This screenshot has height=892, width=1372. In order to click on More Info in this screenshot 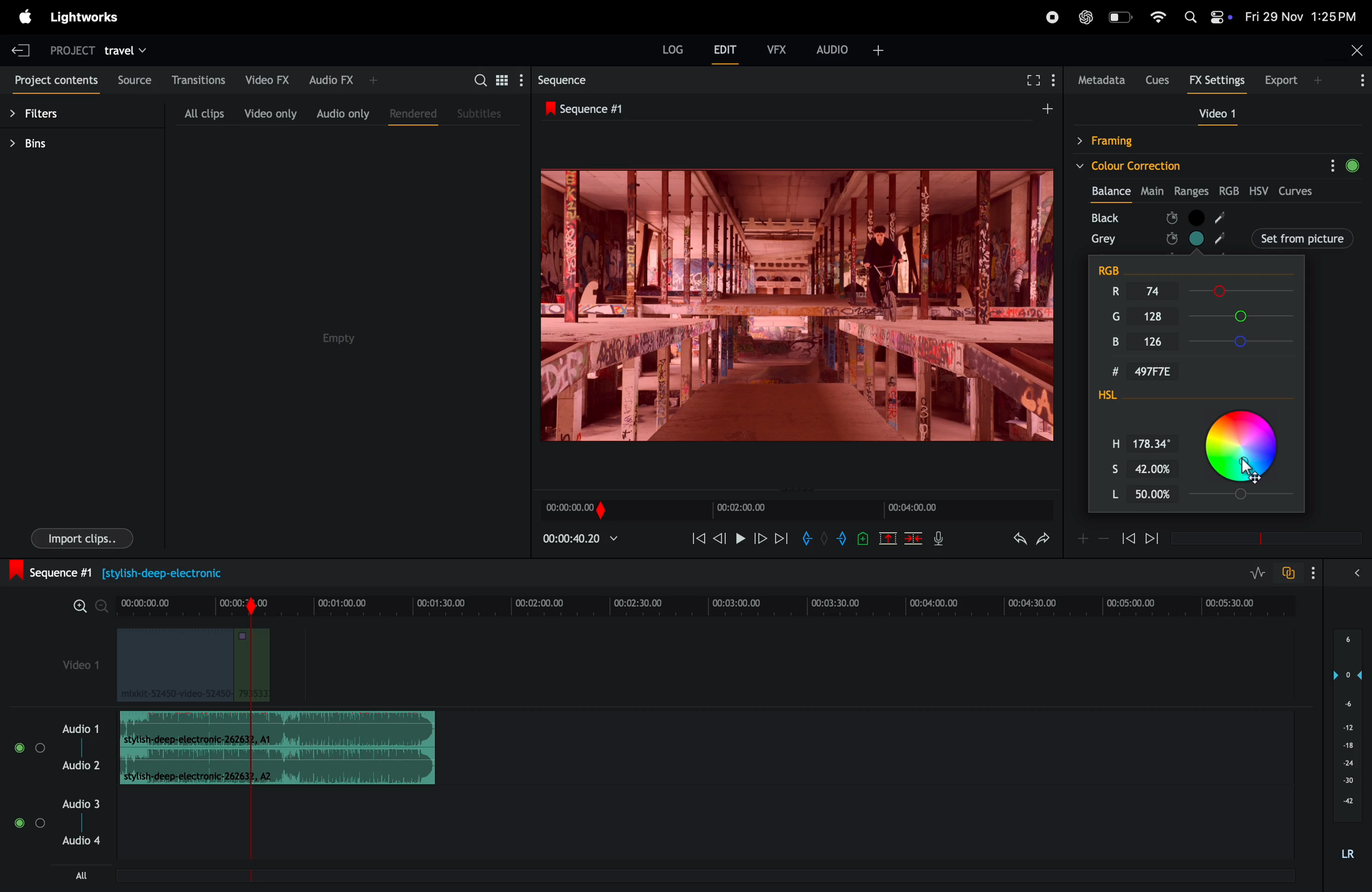, I will do `click(1363, 84)`.